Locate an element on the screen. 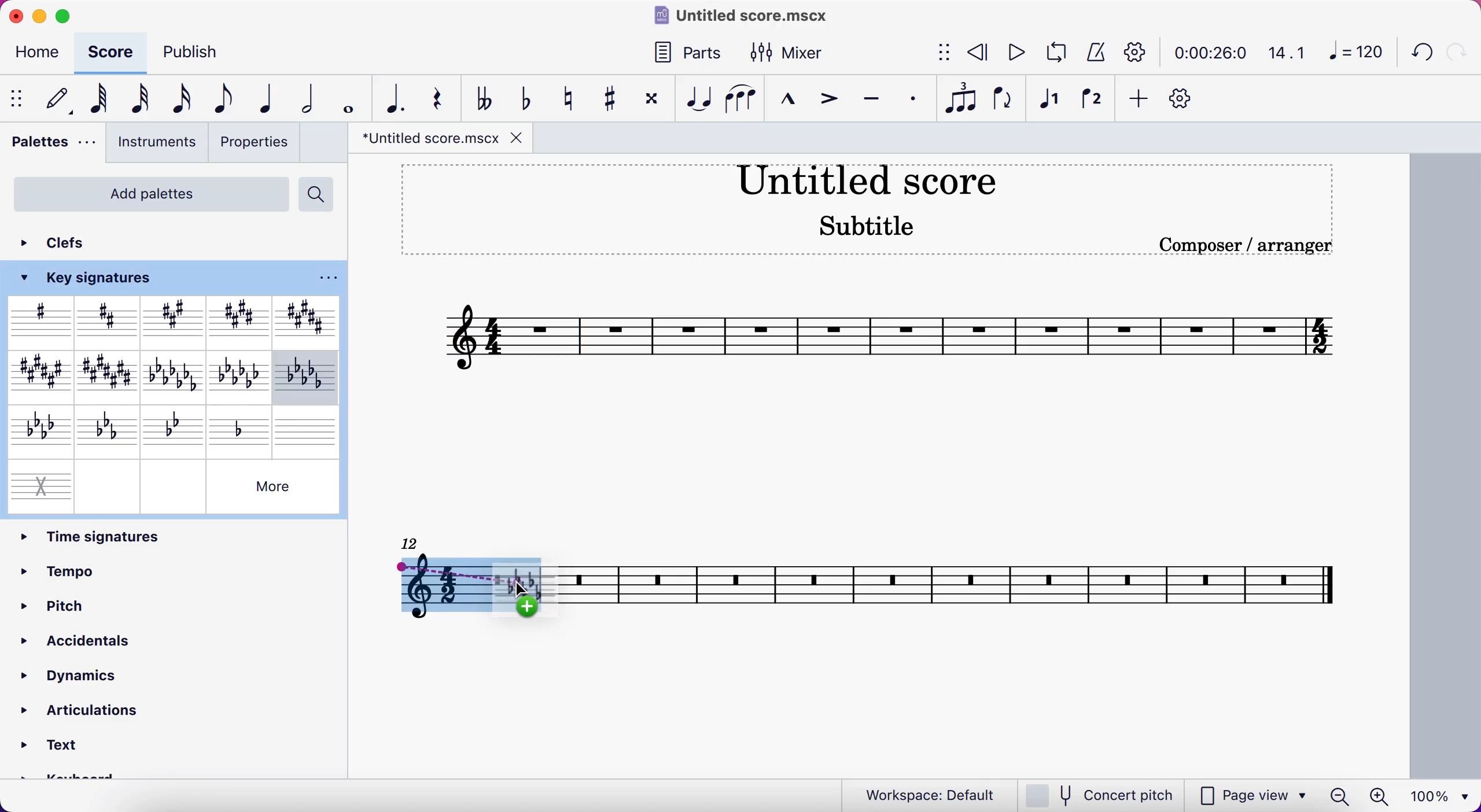  B major is located at coordinates (303, 317).